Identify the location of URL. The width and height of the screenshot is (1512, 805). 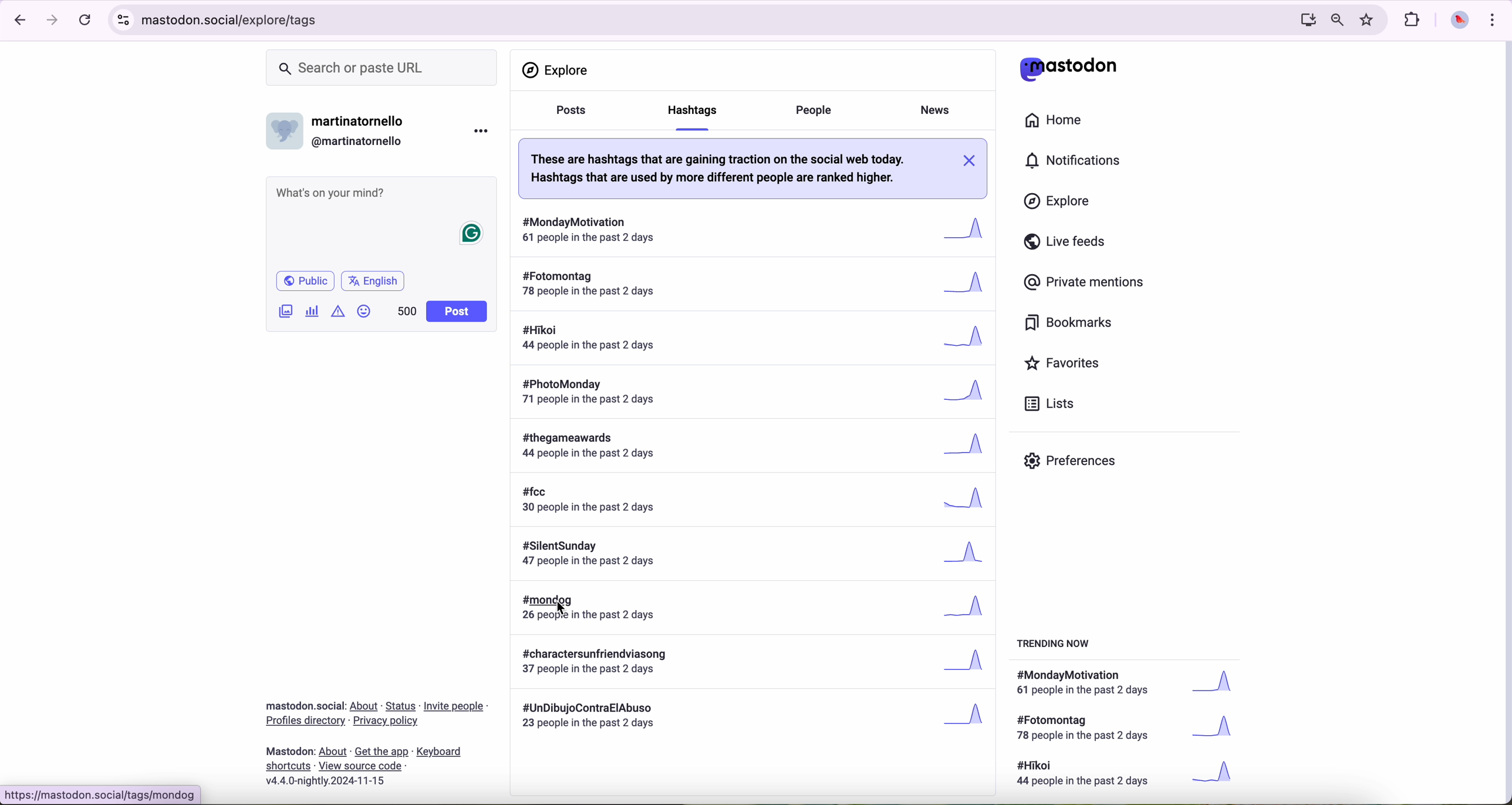
(696, 22).